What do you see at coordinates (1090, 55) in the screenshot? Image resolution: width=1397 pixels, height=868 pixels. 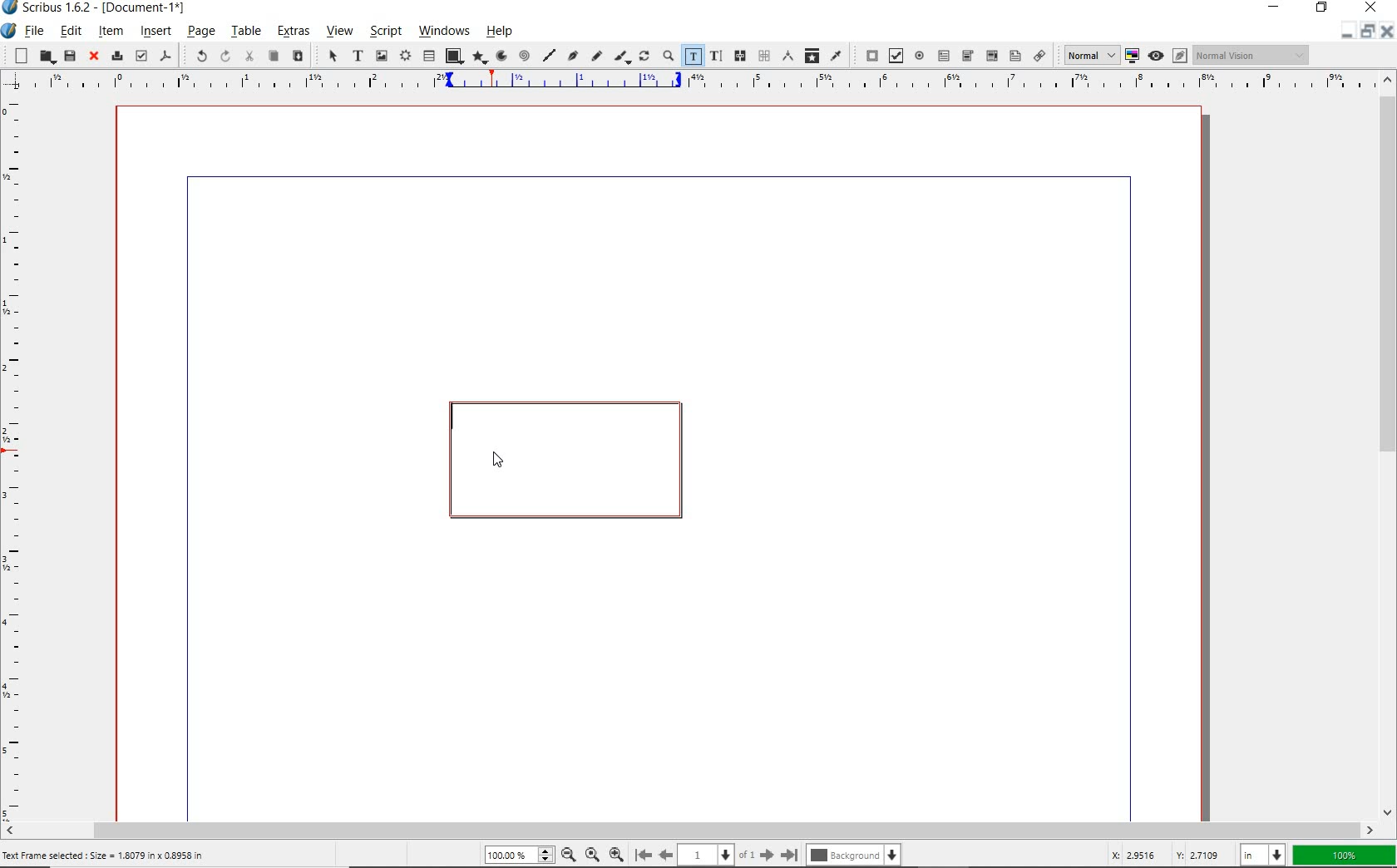 I see `Normal` at bounding box center [1090, 55].